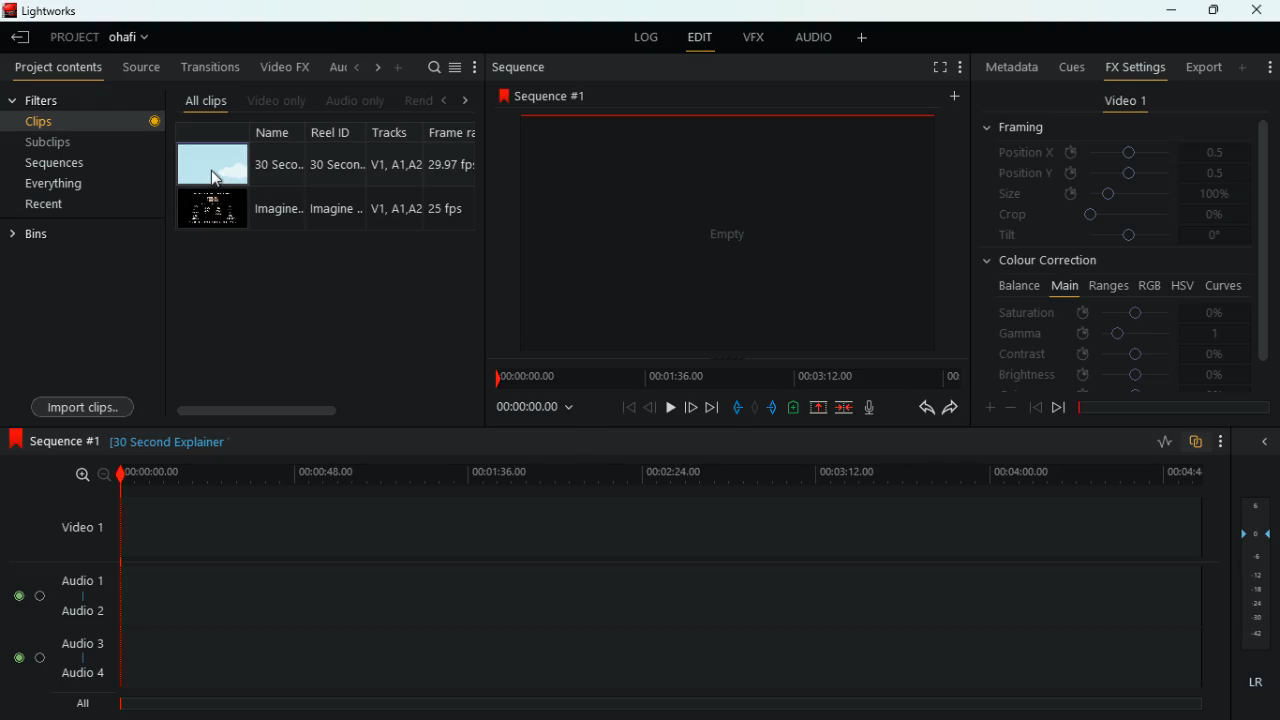  What do you see at coordinates (1151, 284) in the screenshot?
I see `rgb` at bounding box center [1151, 284].